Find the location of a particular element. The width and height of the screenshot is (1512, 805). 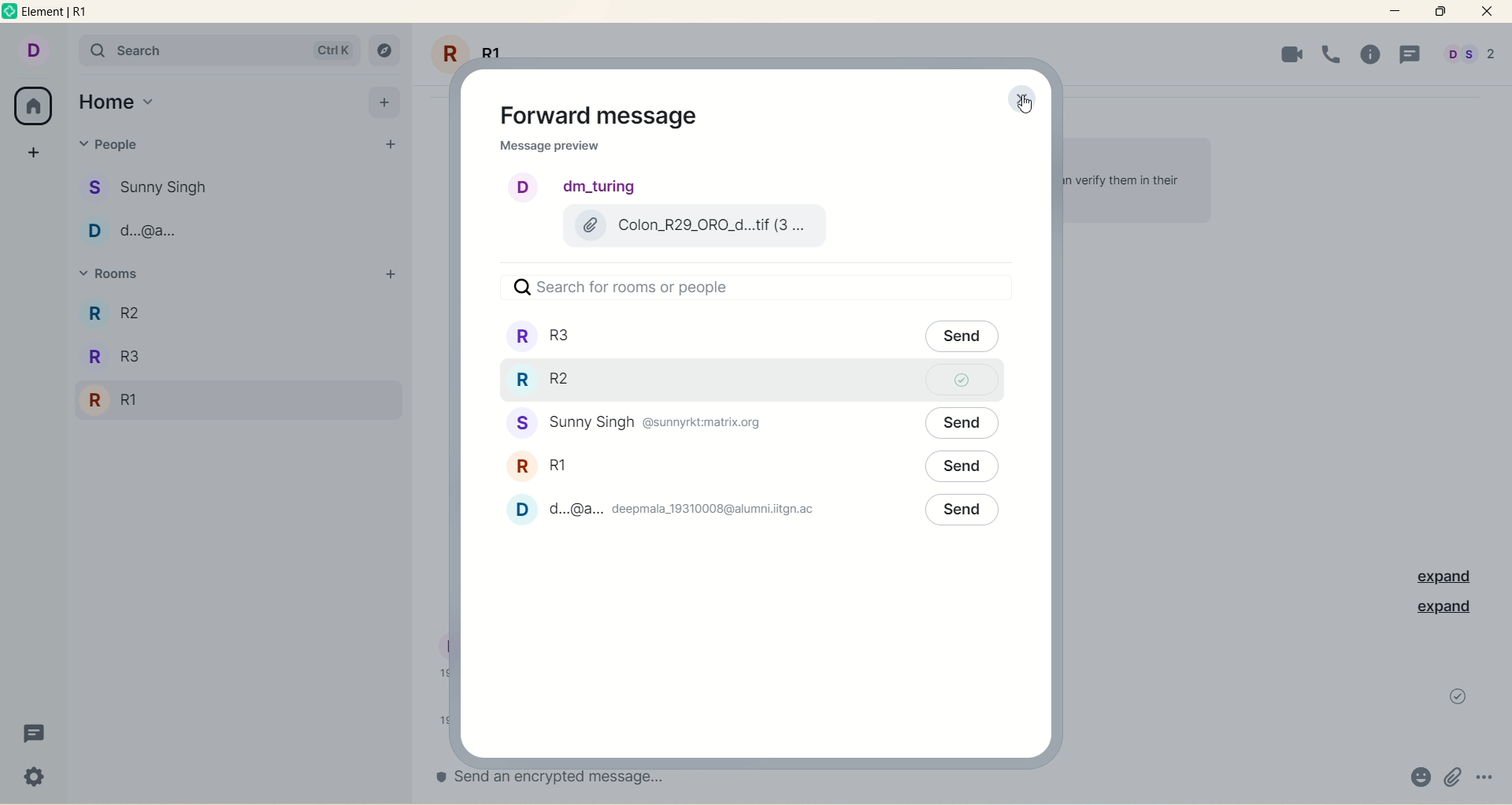

room is located at coordinates (547, 466).